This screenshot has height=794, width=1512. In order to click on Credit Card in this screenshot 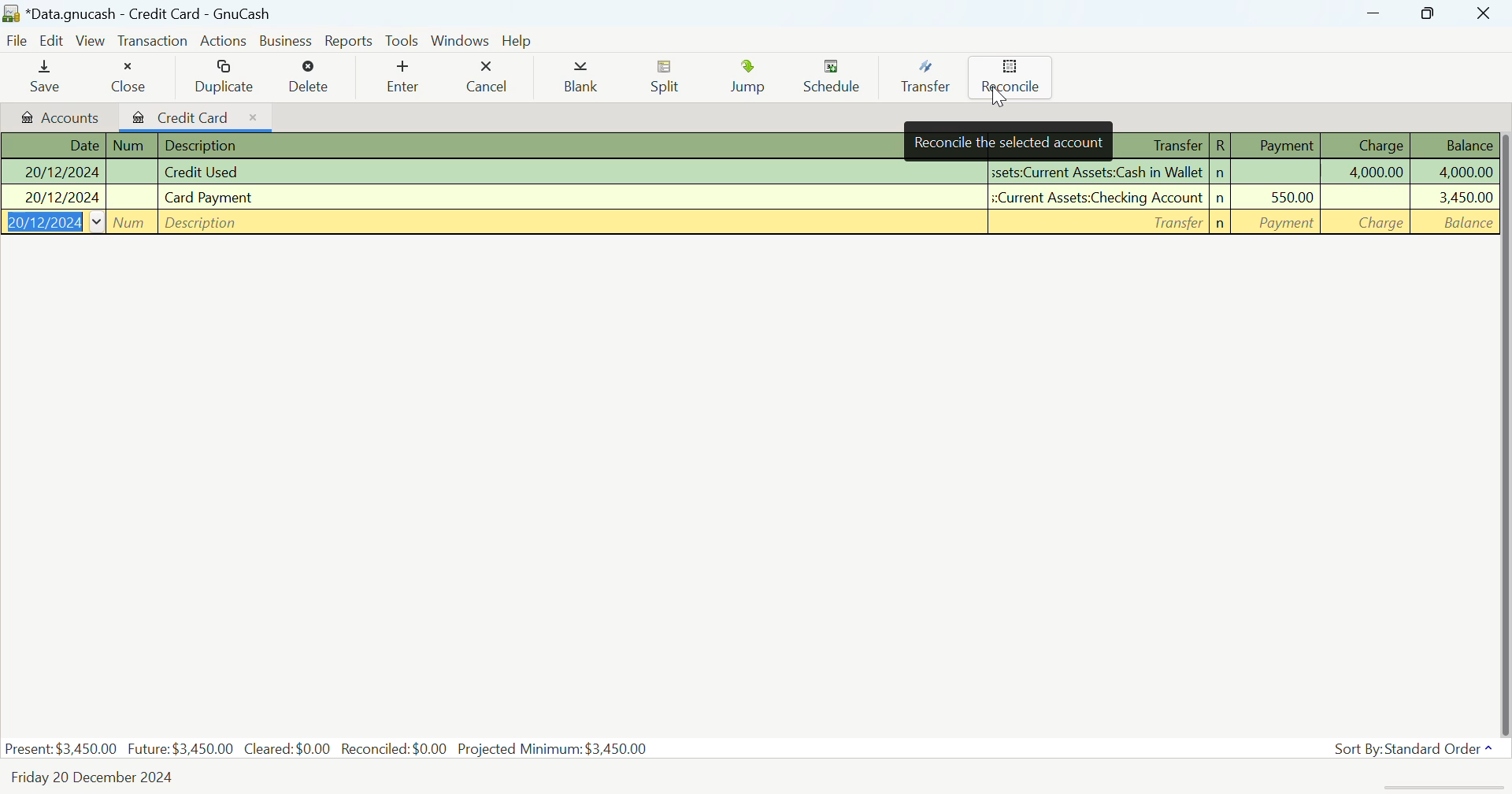, I will do `click(198, 117)`.